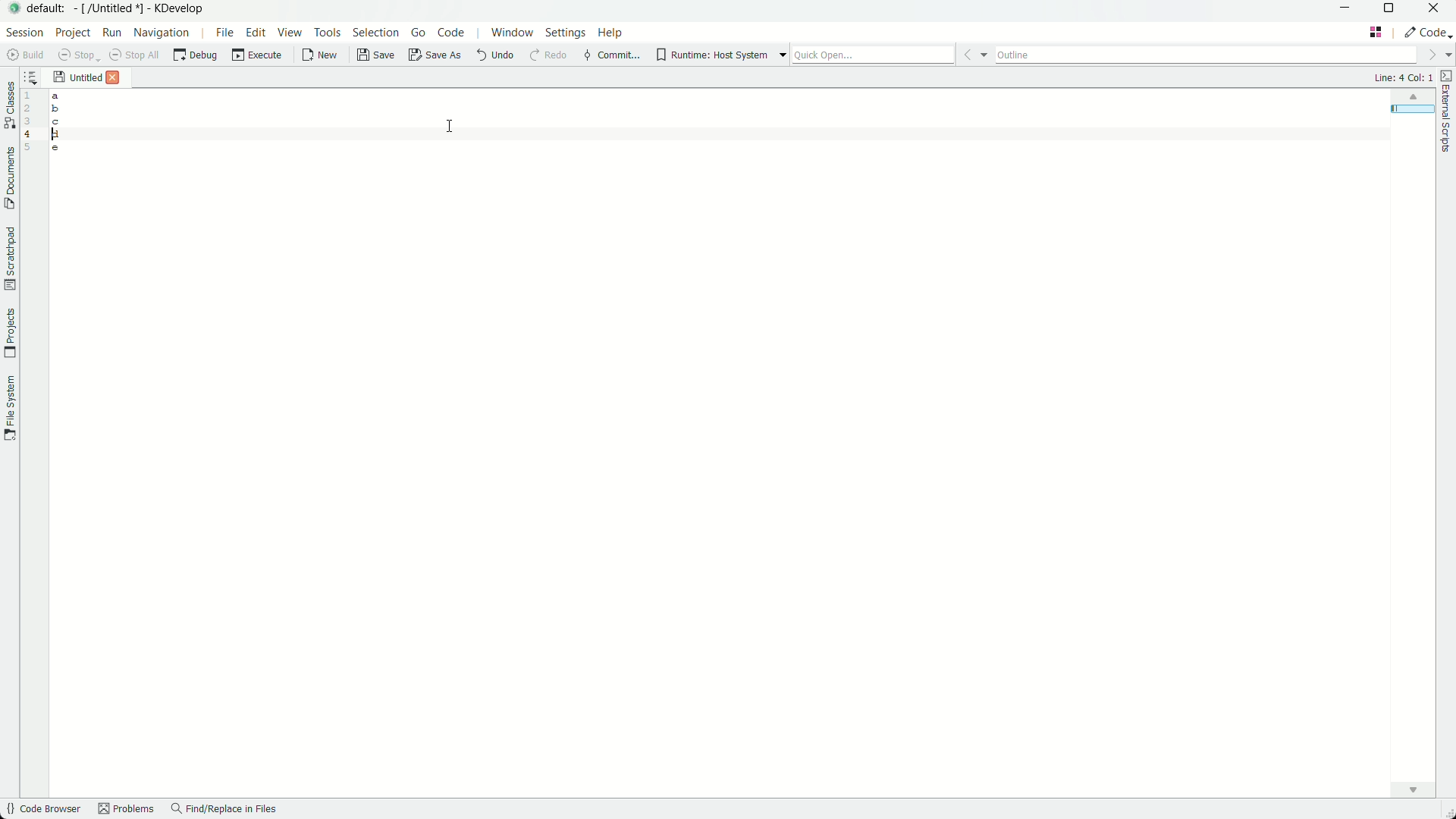 This screenshot has width=1456, height=819. What do you see at coordinates (25, 33) in the screenshot?
I see `session` at bounding box center [25, 33].